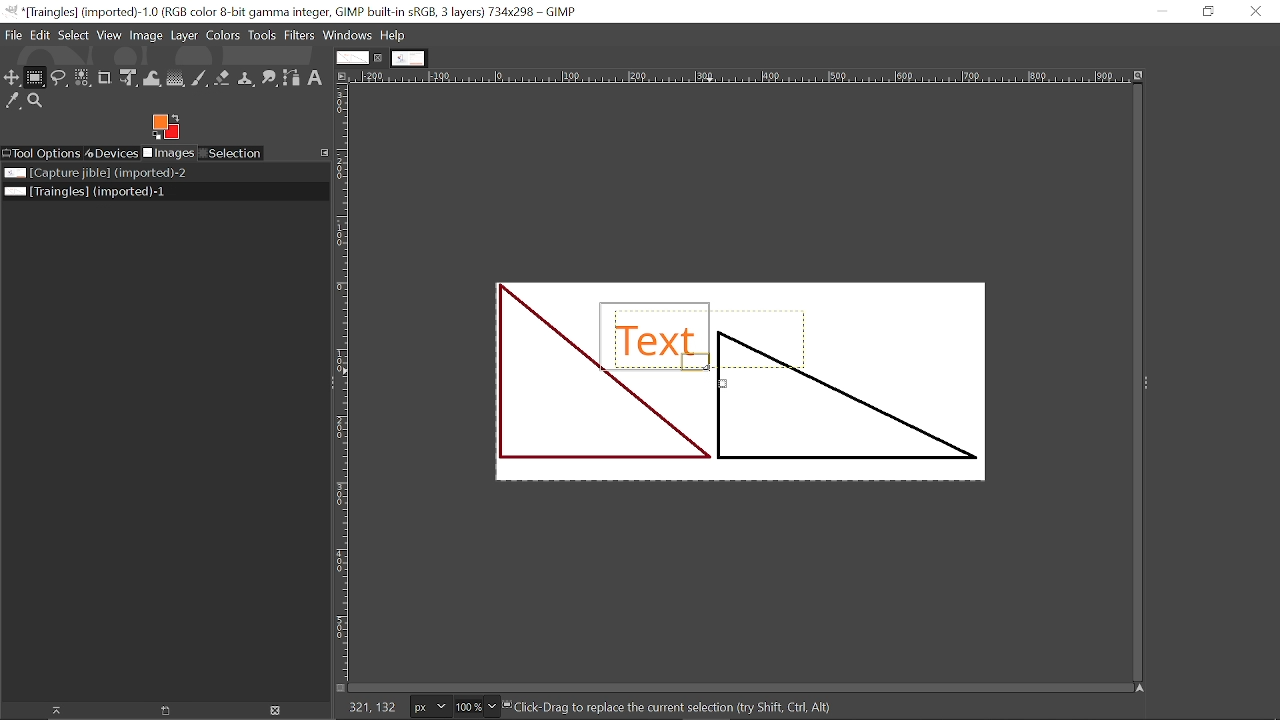 The image size is (1280, 720). What do you see at coordinates (341, 689) in the screenshot?
I see `Toggle quick mask on/off` at bounding box center [341, 689].